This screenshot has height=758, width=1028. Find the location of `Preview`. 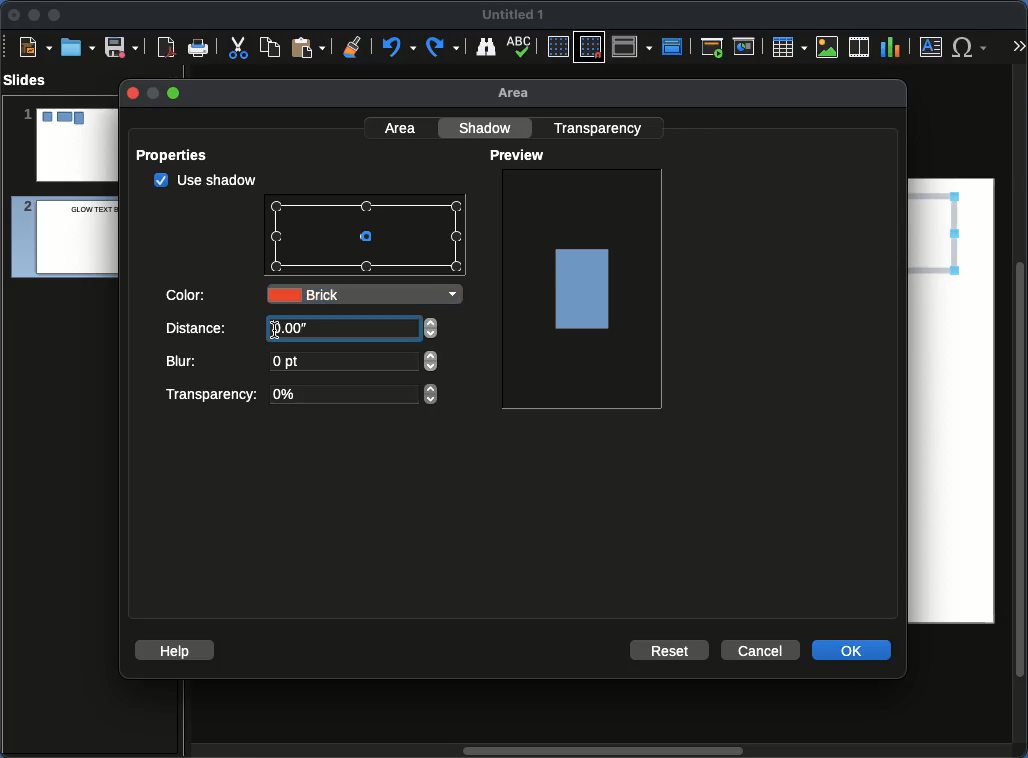

Preview is located at coordinates (520, 156).